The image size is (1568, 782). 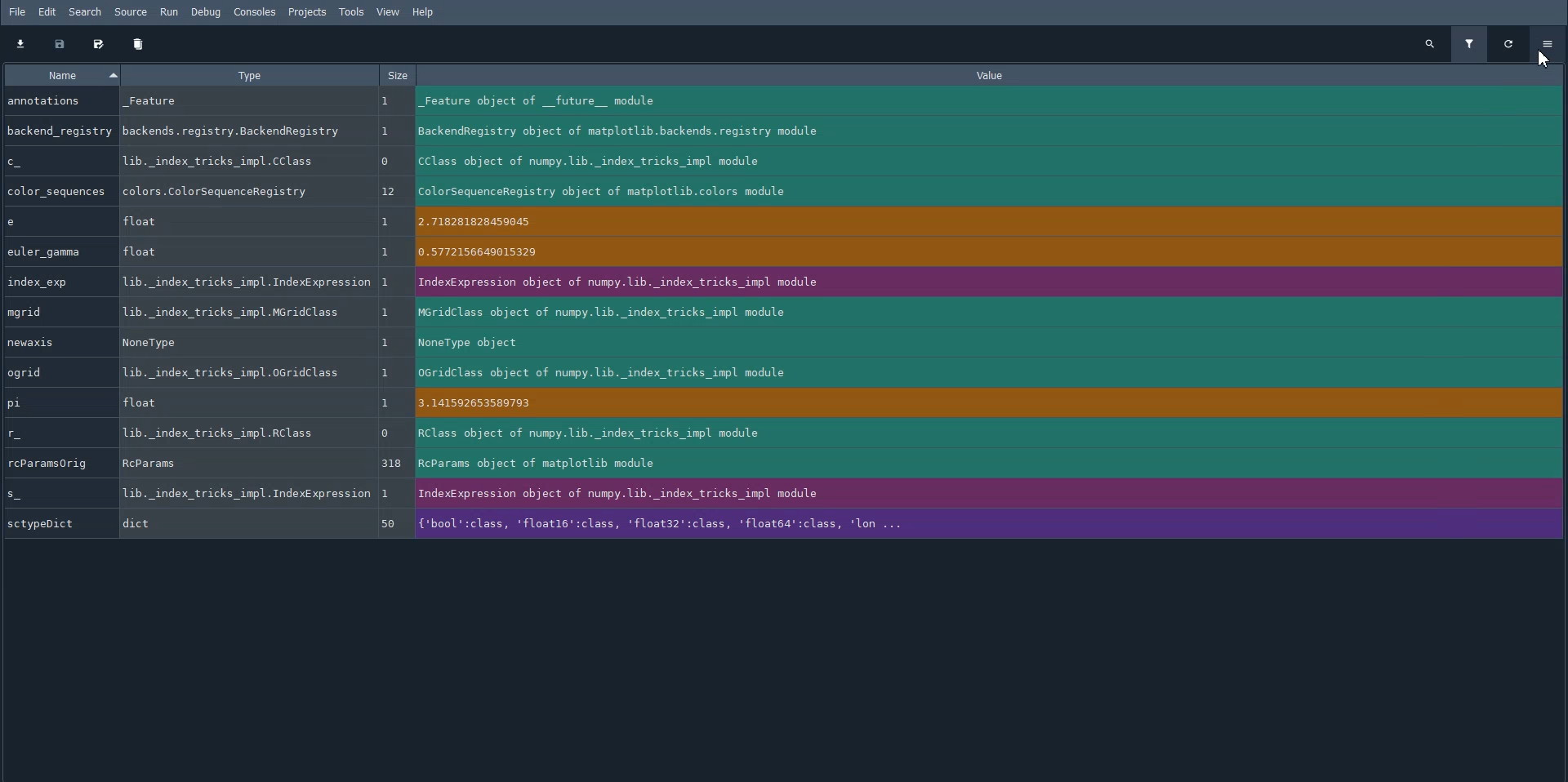 What do you see at coordinates (234, 342) in the screenshot?
I see `type value` at bounding box center [234, 342].